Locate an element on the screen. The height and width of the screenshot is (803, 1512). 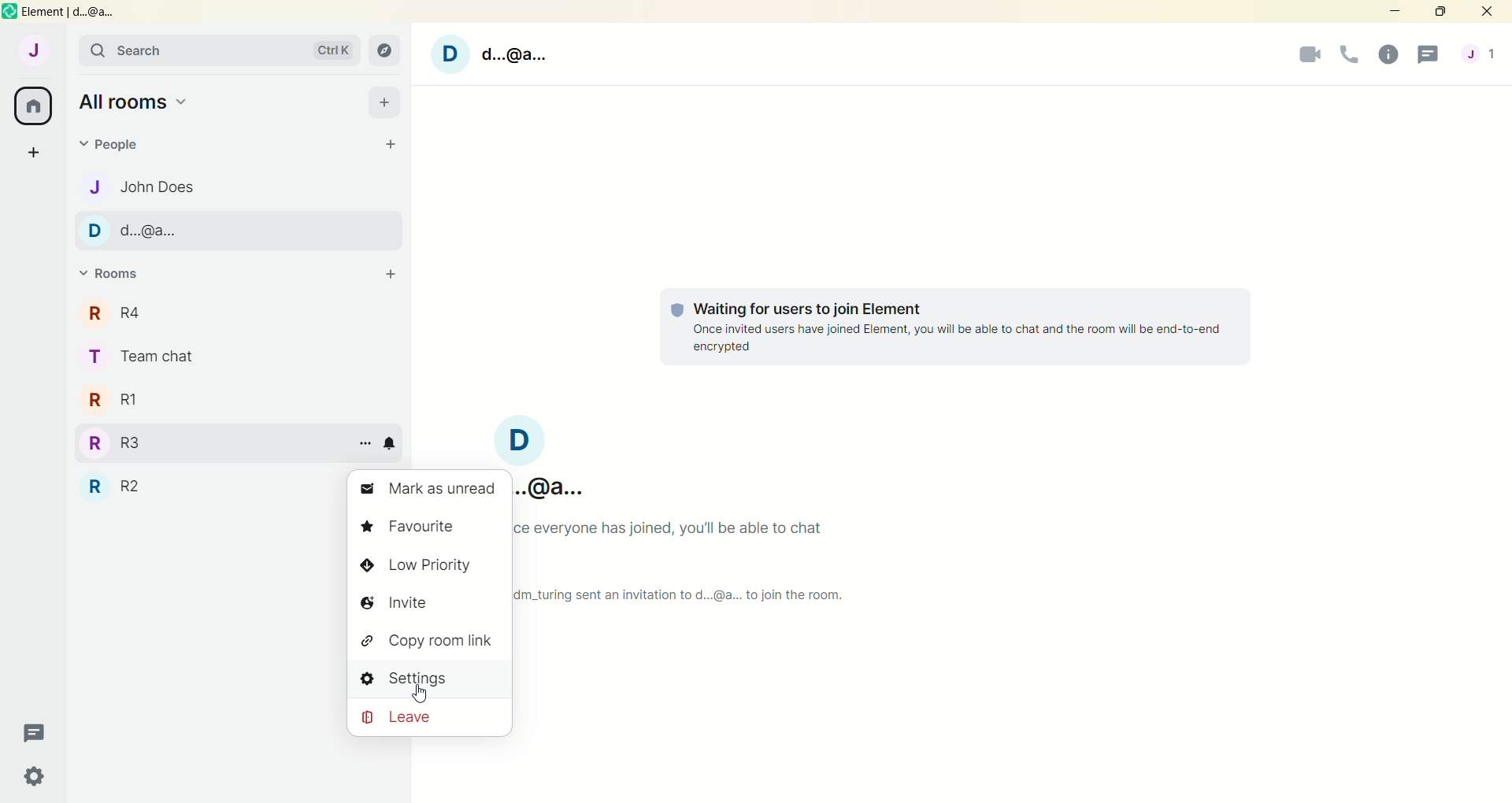
low priority is located at coordinates (429, 564).